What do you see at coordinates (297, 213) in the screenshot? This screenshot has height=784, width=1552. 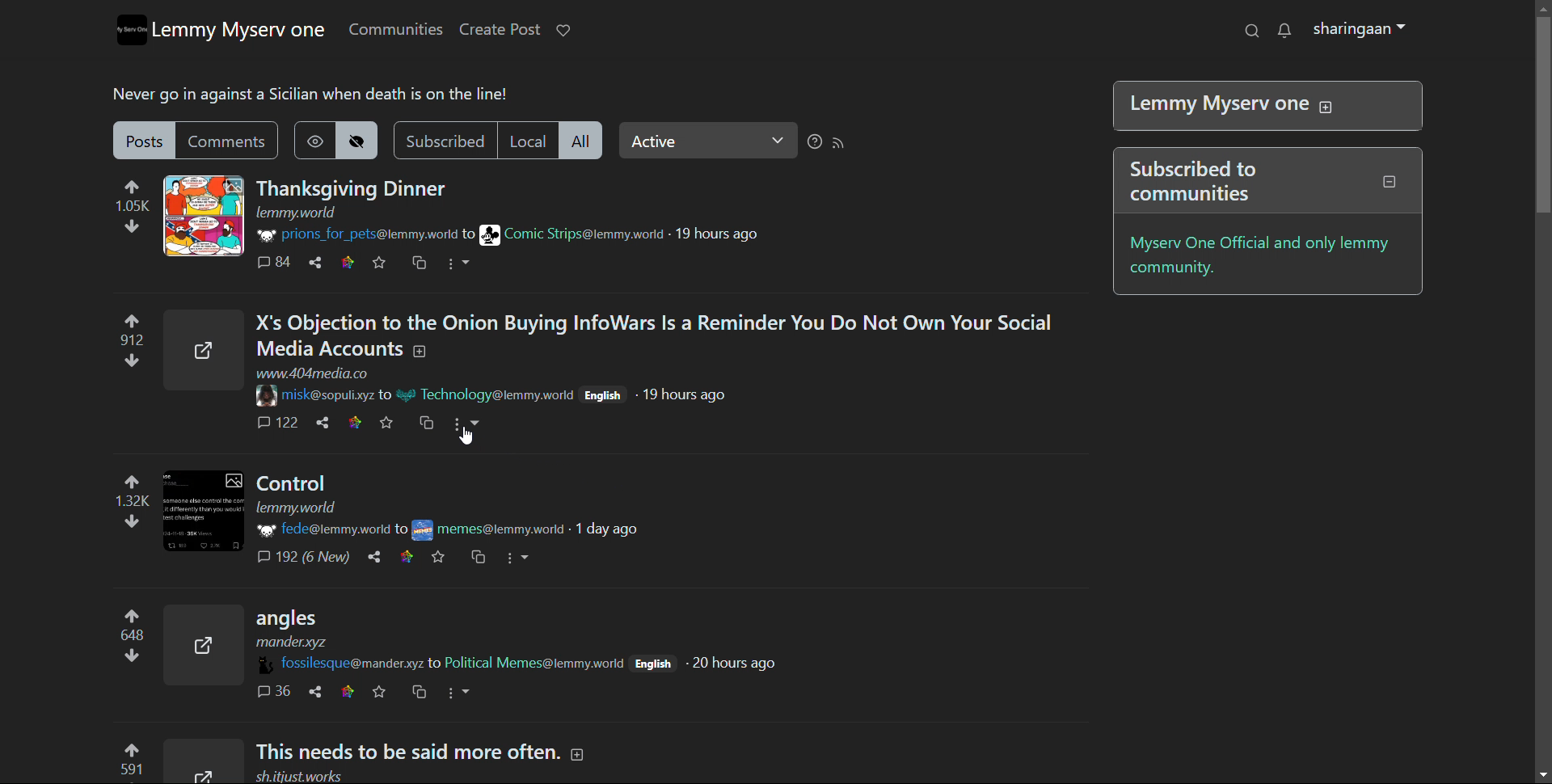 I see `URL` at bounding box center [297, 213].